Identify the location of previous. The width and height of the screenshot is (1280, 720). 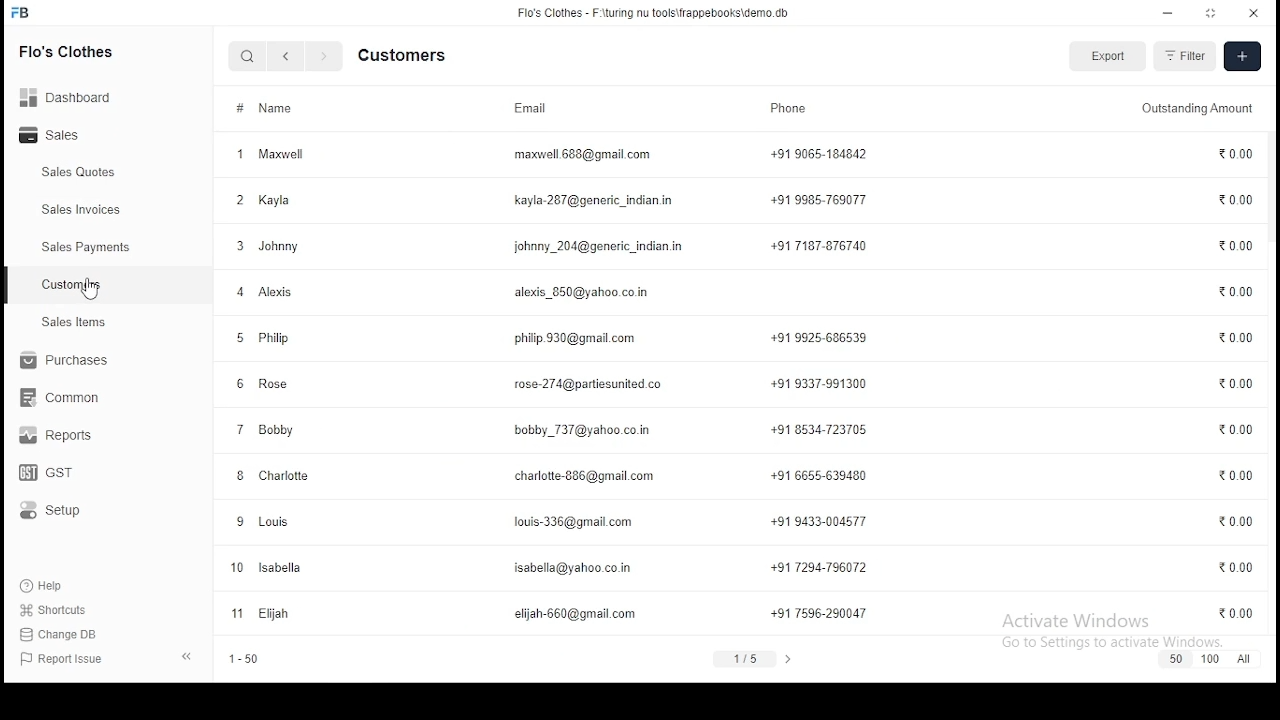
(283, 57).